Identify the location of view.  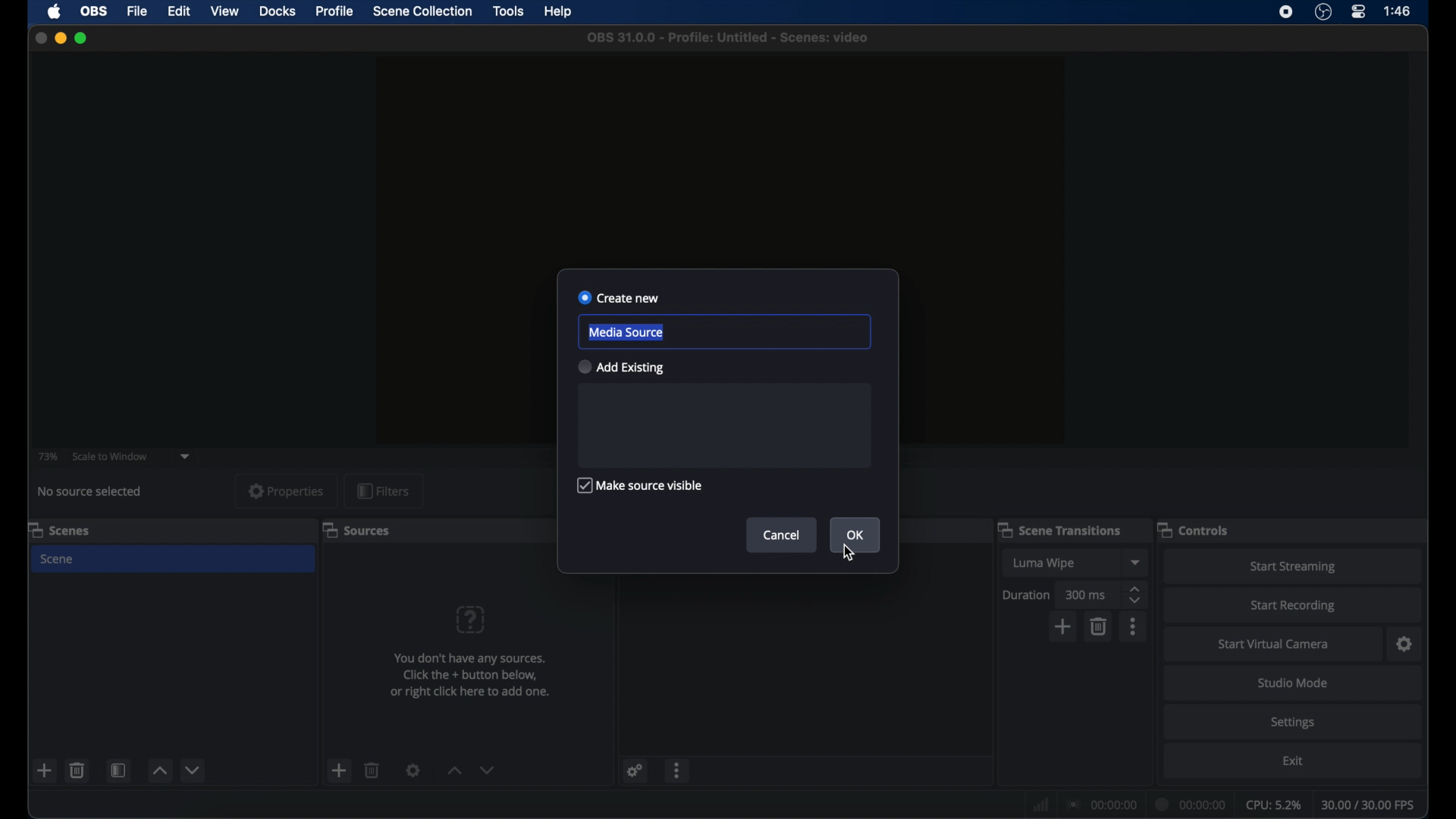
(224, 10).